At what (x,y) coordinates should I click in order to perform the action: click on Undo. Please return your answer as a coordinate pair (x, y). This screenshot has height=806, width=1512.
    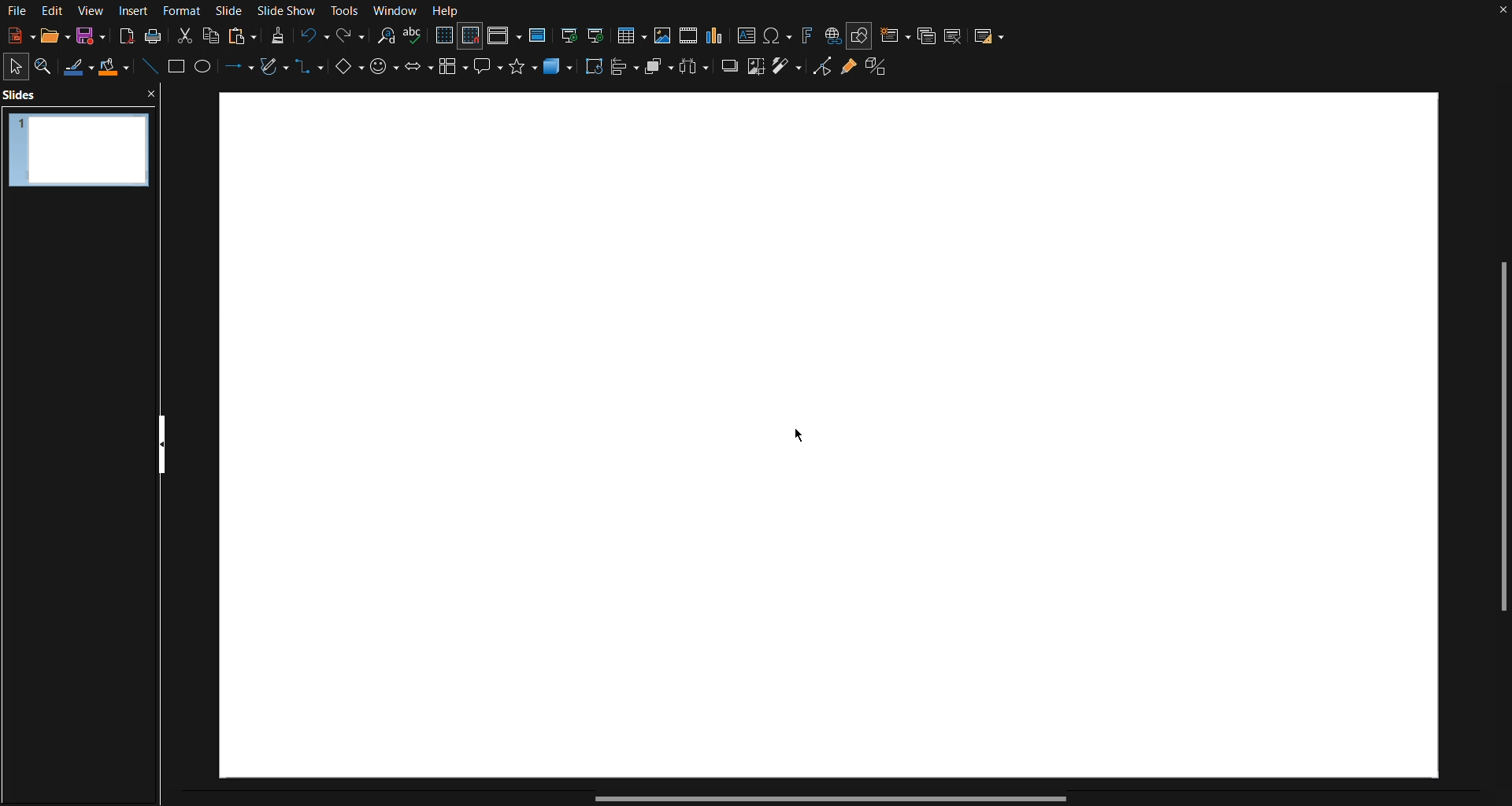
    Looking at the image, I should click on (313, 36).